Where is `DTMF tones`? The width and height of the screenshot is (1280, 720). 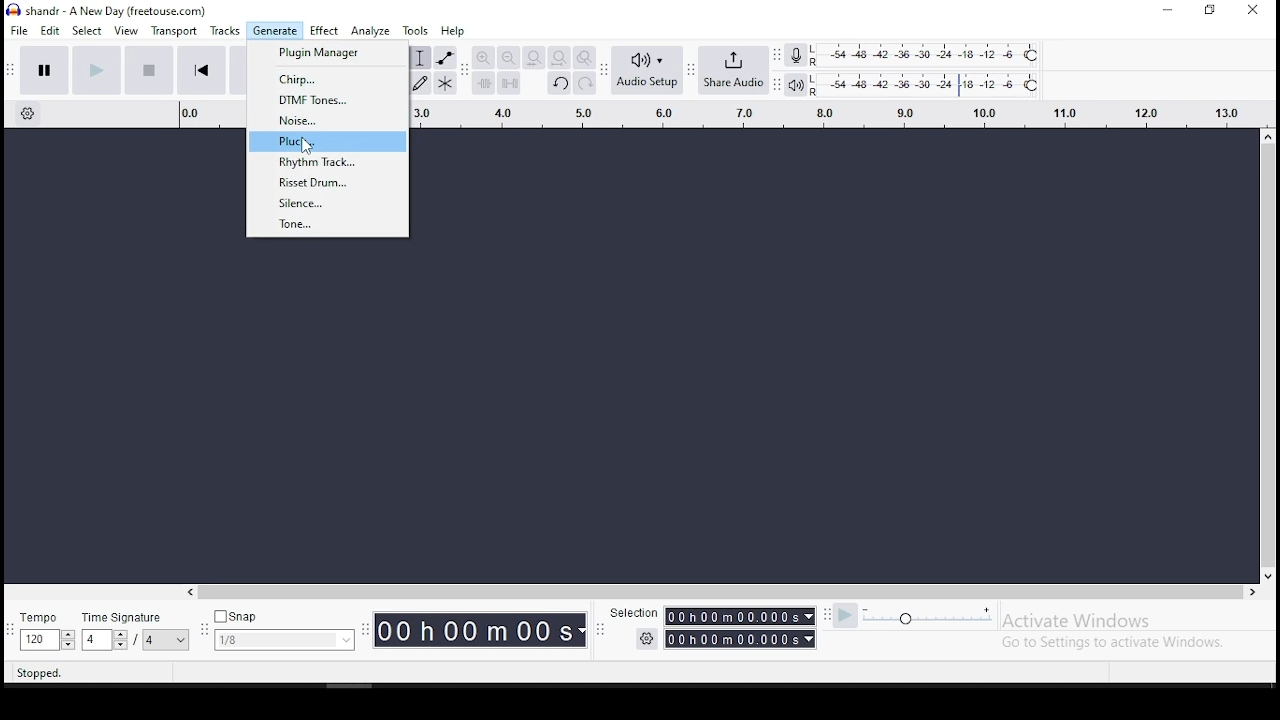 DTMF tones is located at coordinates (327, 99).